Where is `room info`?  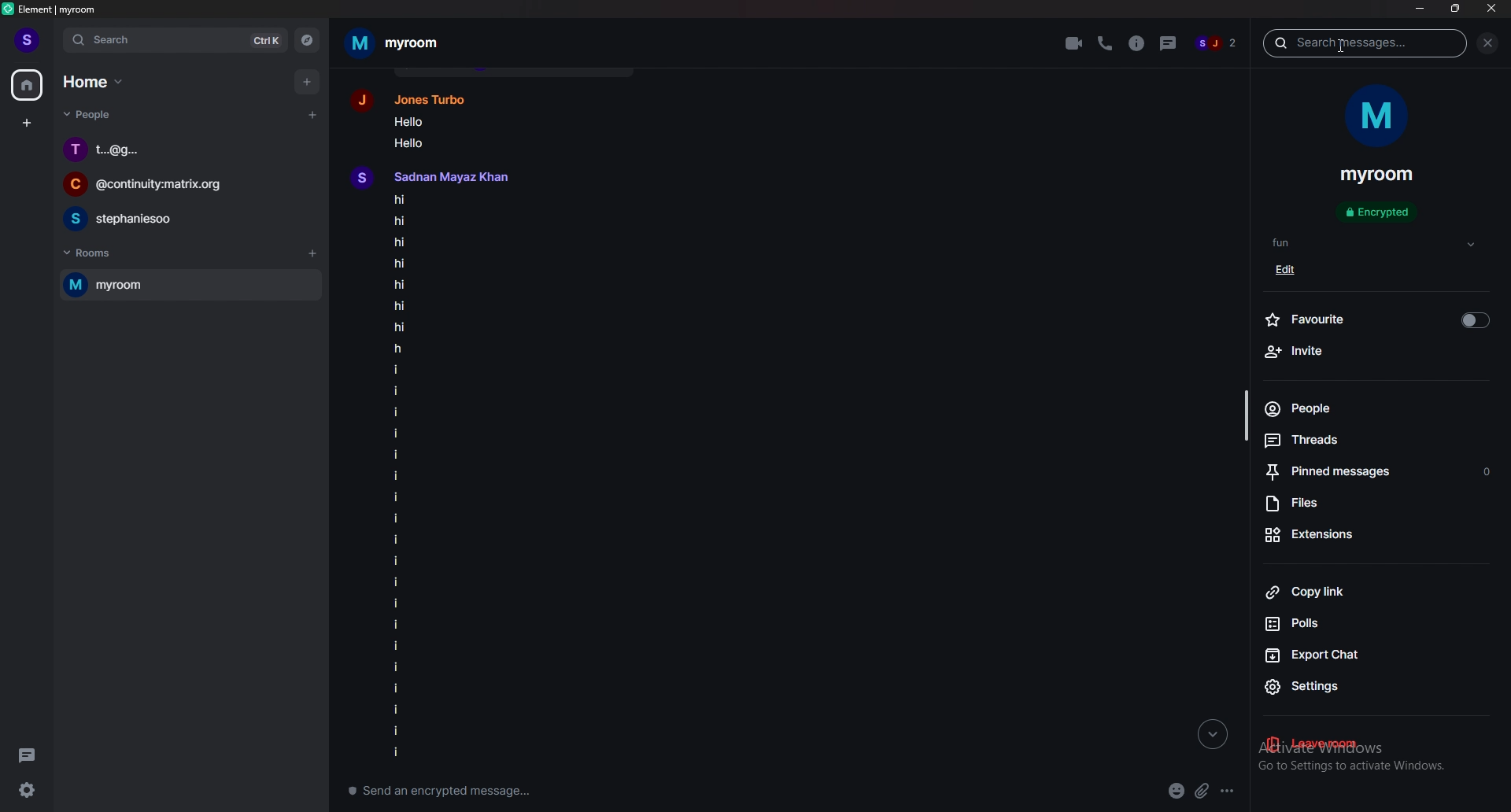
room info is located at coordinates (1132, 44).